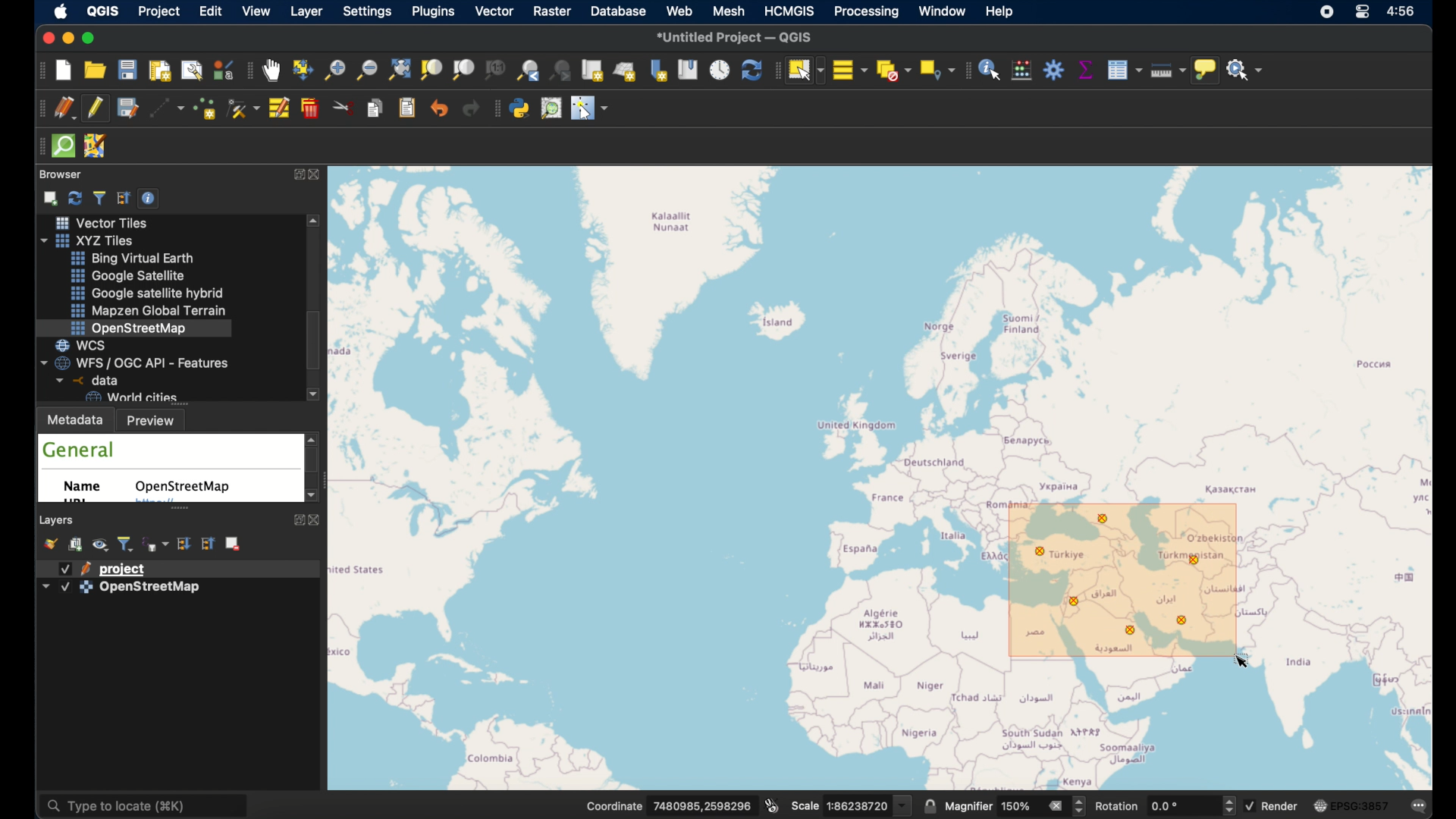 This screenshot has height=819, width=1456. Describe the element at coordinates (94, 240) in the screenshot. I see `xyzzy tiles` at that location.